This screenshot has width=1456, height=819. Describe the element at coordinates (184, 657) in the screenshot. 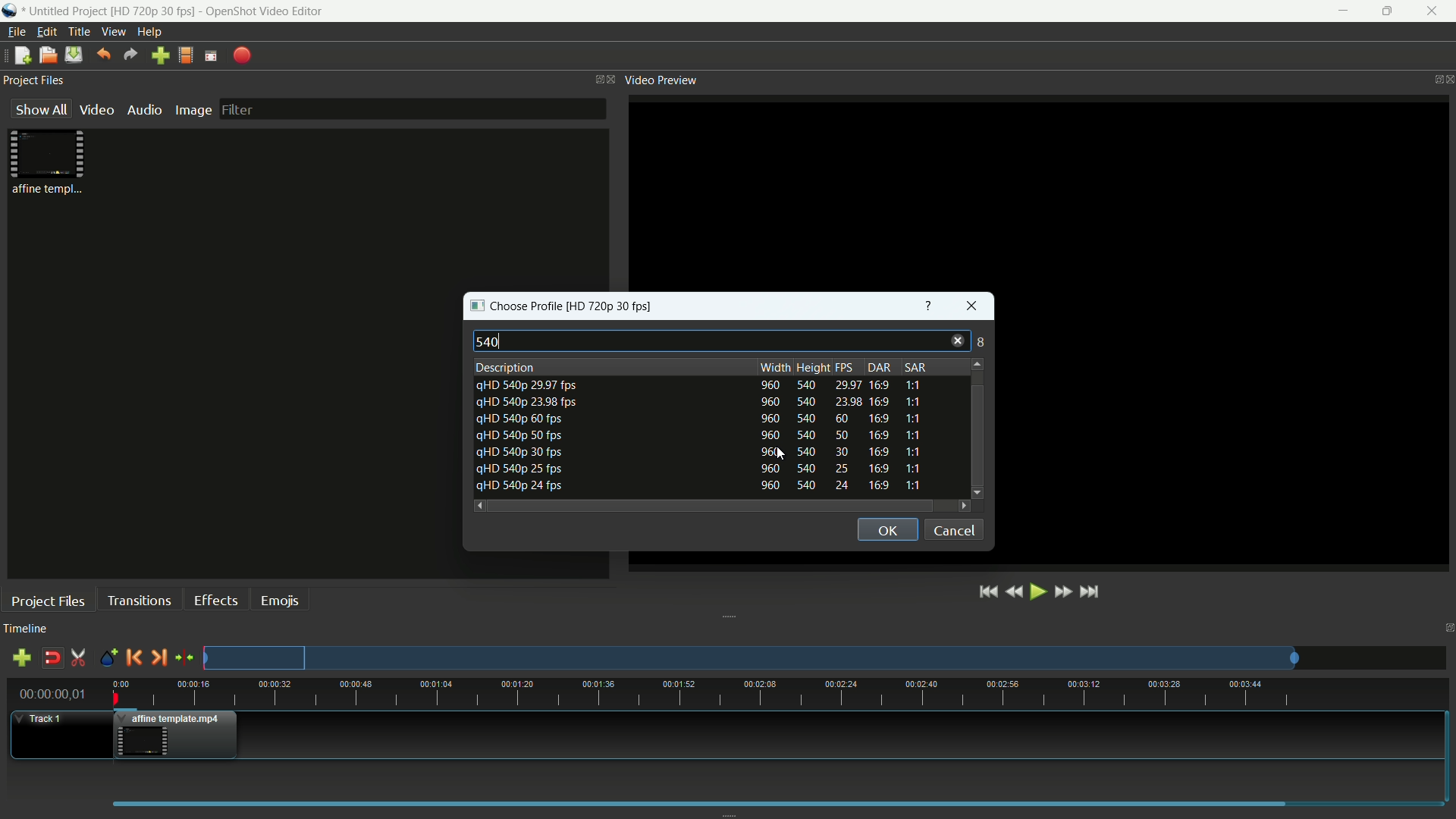

I see `center the timeline on the playhead` at that location.